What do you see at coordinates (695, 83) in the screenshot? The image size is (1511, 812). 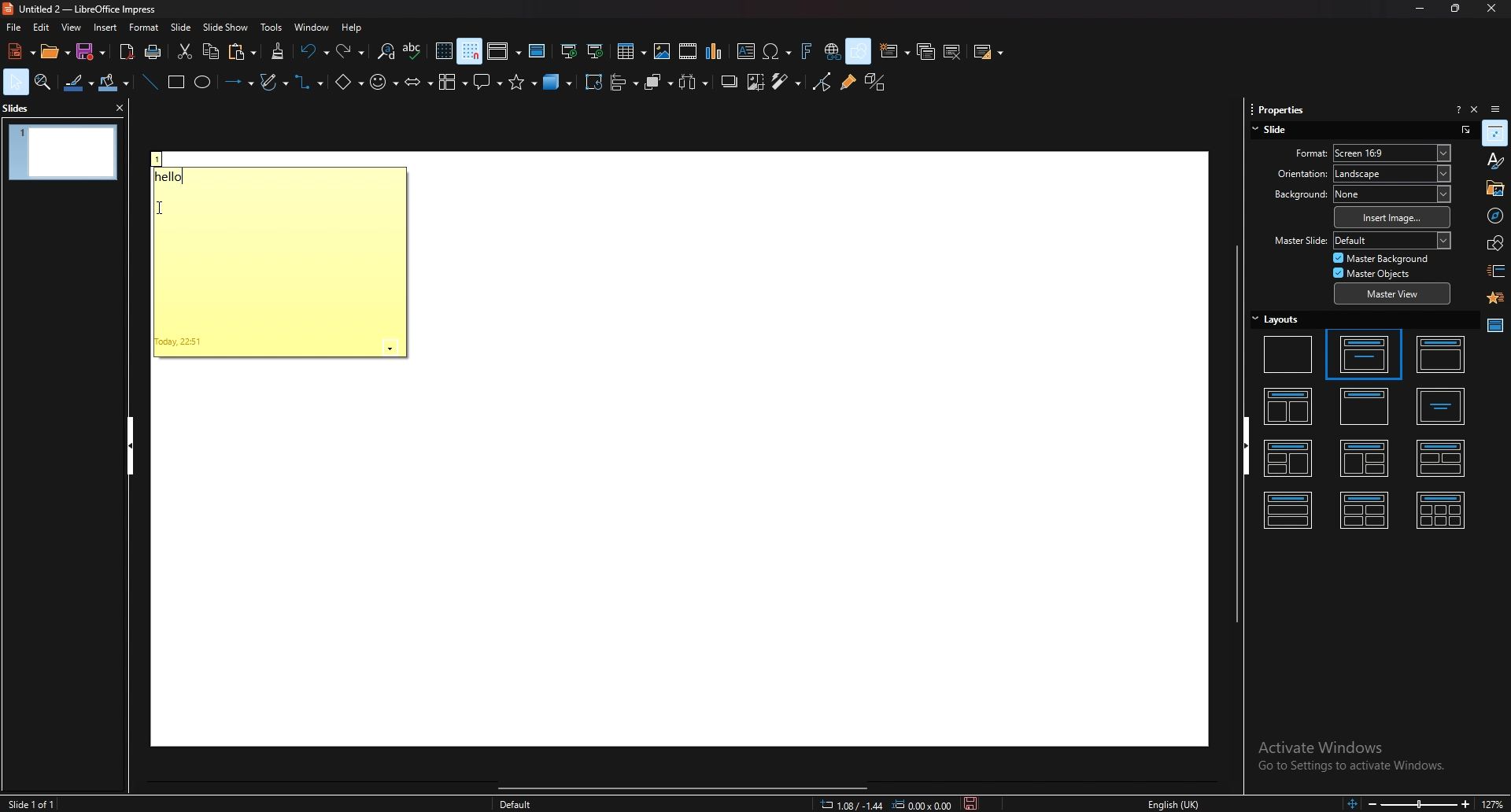 I see `distribute` at bounding box center [695, 83].